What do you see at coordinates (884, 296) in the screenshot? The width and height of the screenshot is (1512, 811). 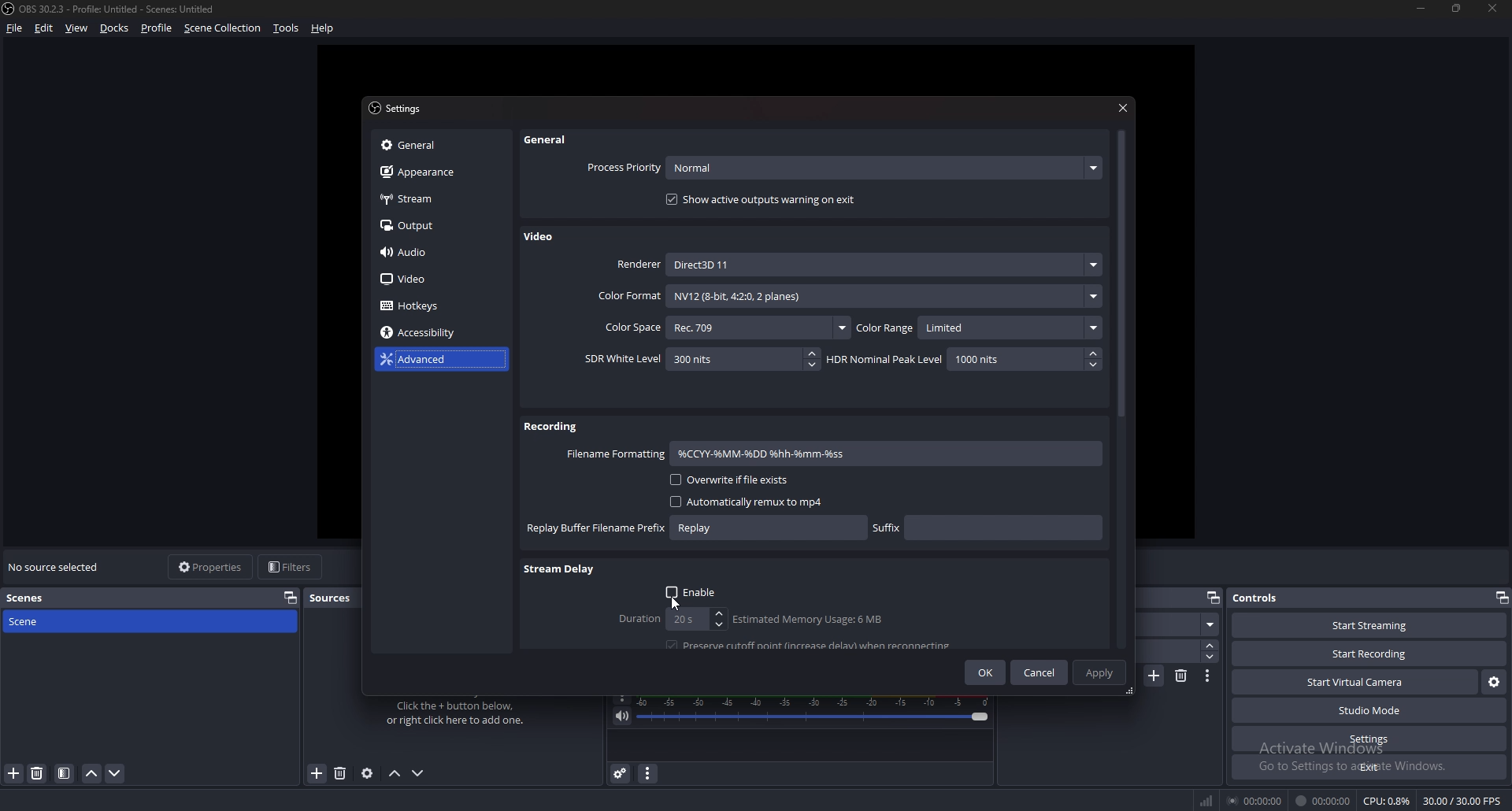 I see `NV12(B-bit 4:20. 2 planes)` at bounding box center [884, 296].